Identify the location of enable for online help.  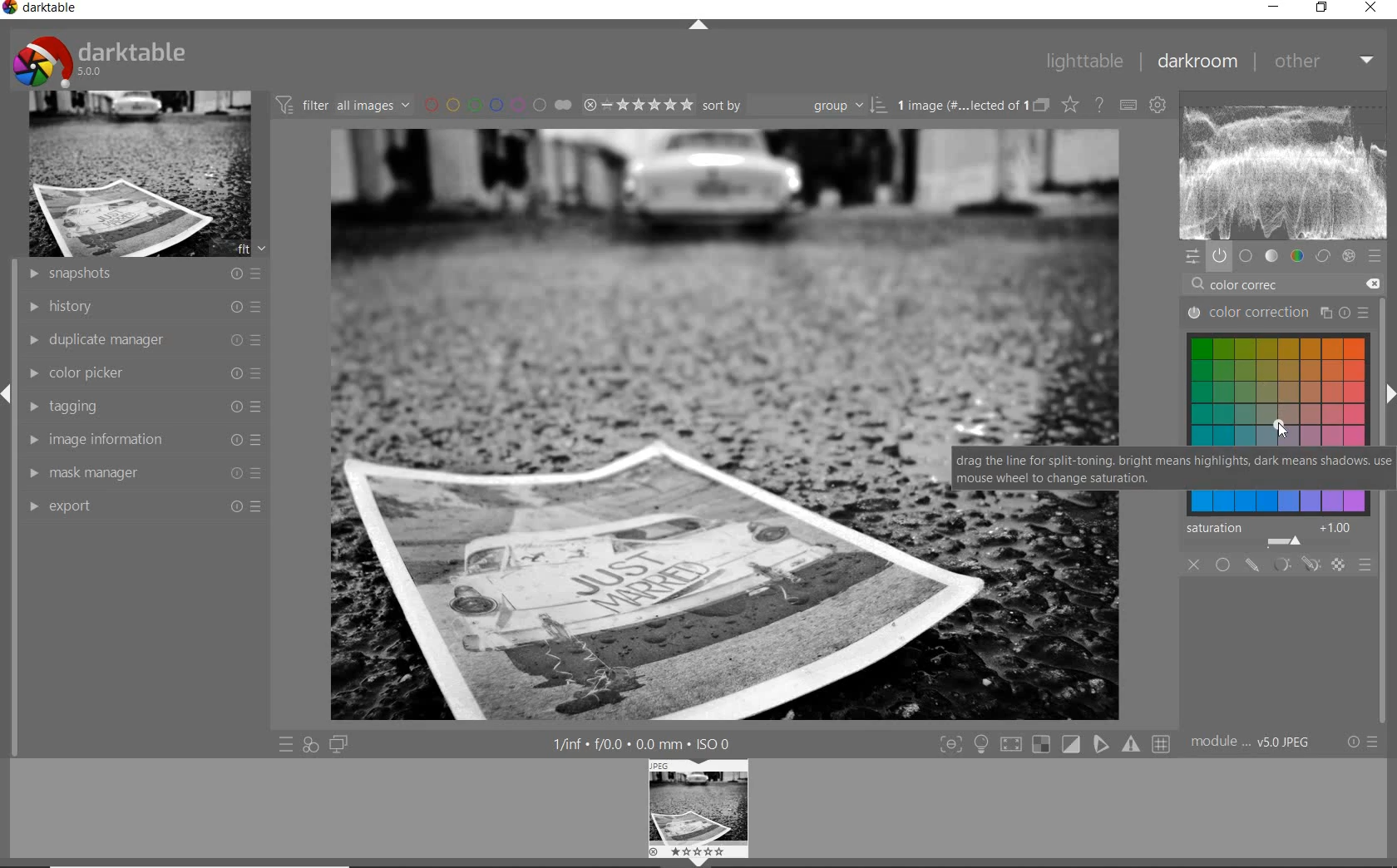
(1100, 104).